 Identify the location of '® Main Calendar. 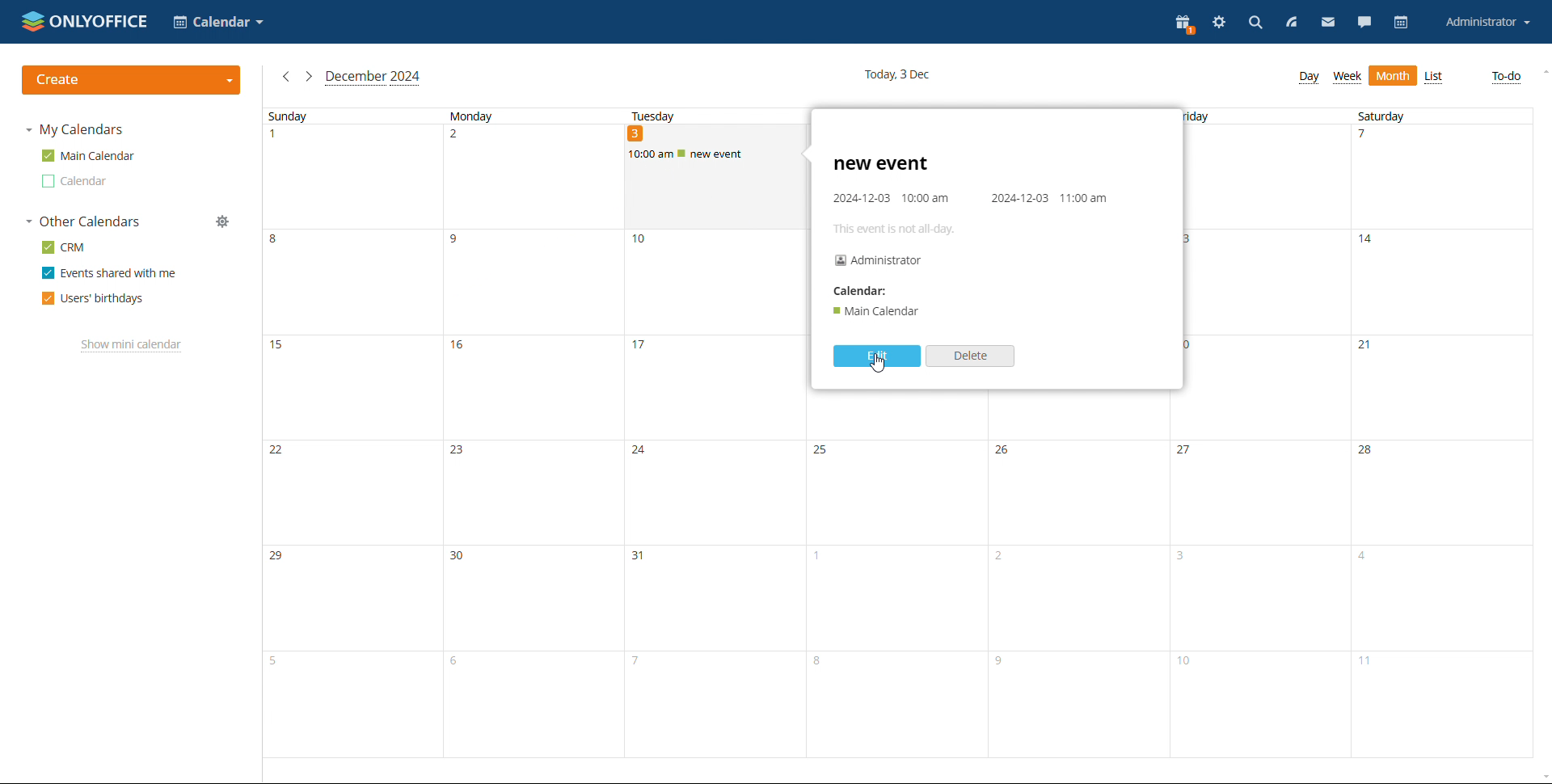
(879, 309).